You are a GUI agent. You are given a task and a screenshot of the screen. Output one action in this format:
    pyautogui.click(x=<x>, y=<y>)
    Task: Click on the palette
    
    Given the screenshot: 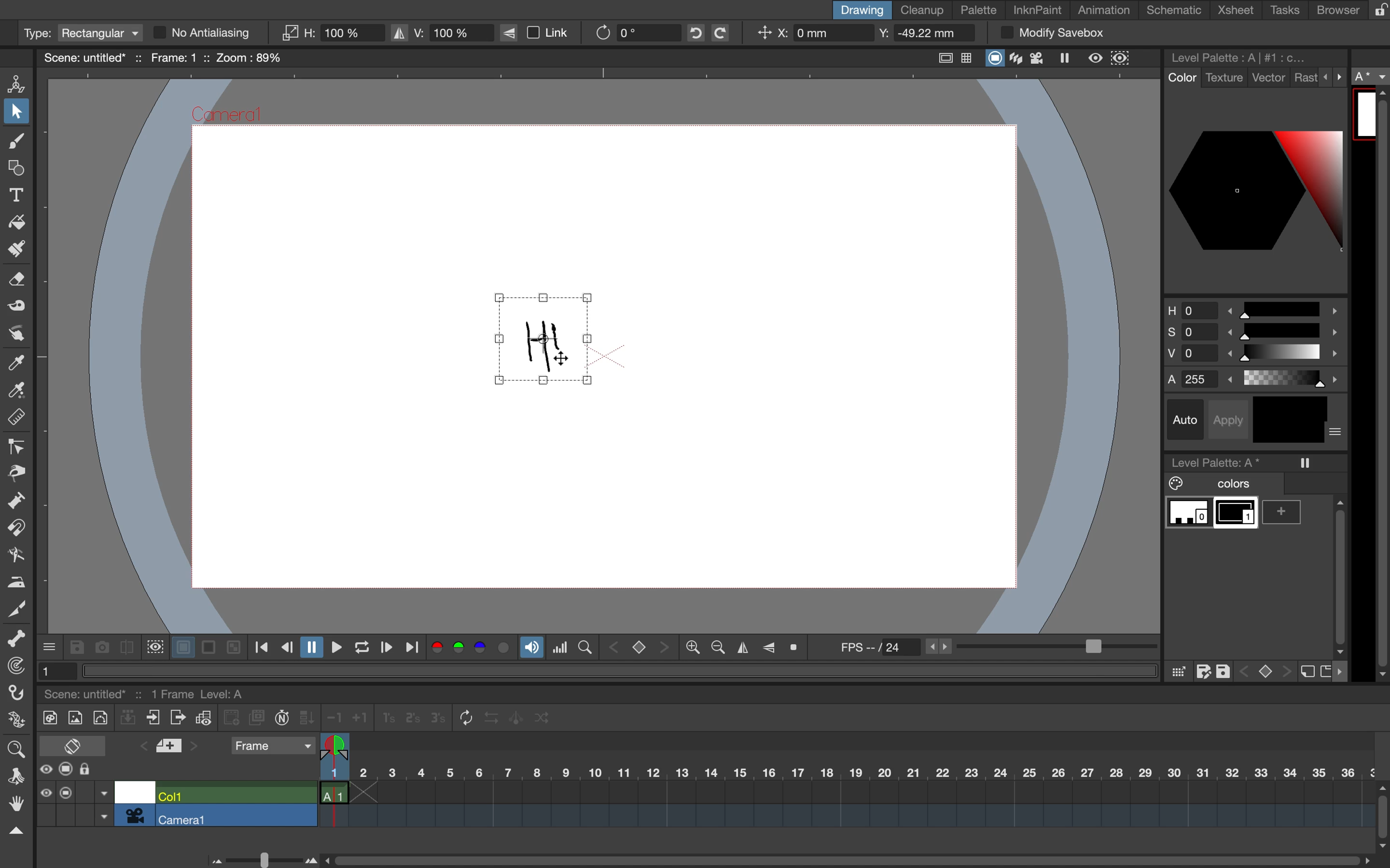 What is the action you would take?
    pyautogui.click(x=979, y=10)
    